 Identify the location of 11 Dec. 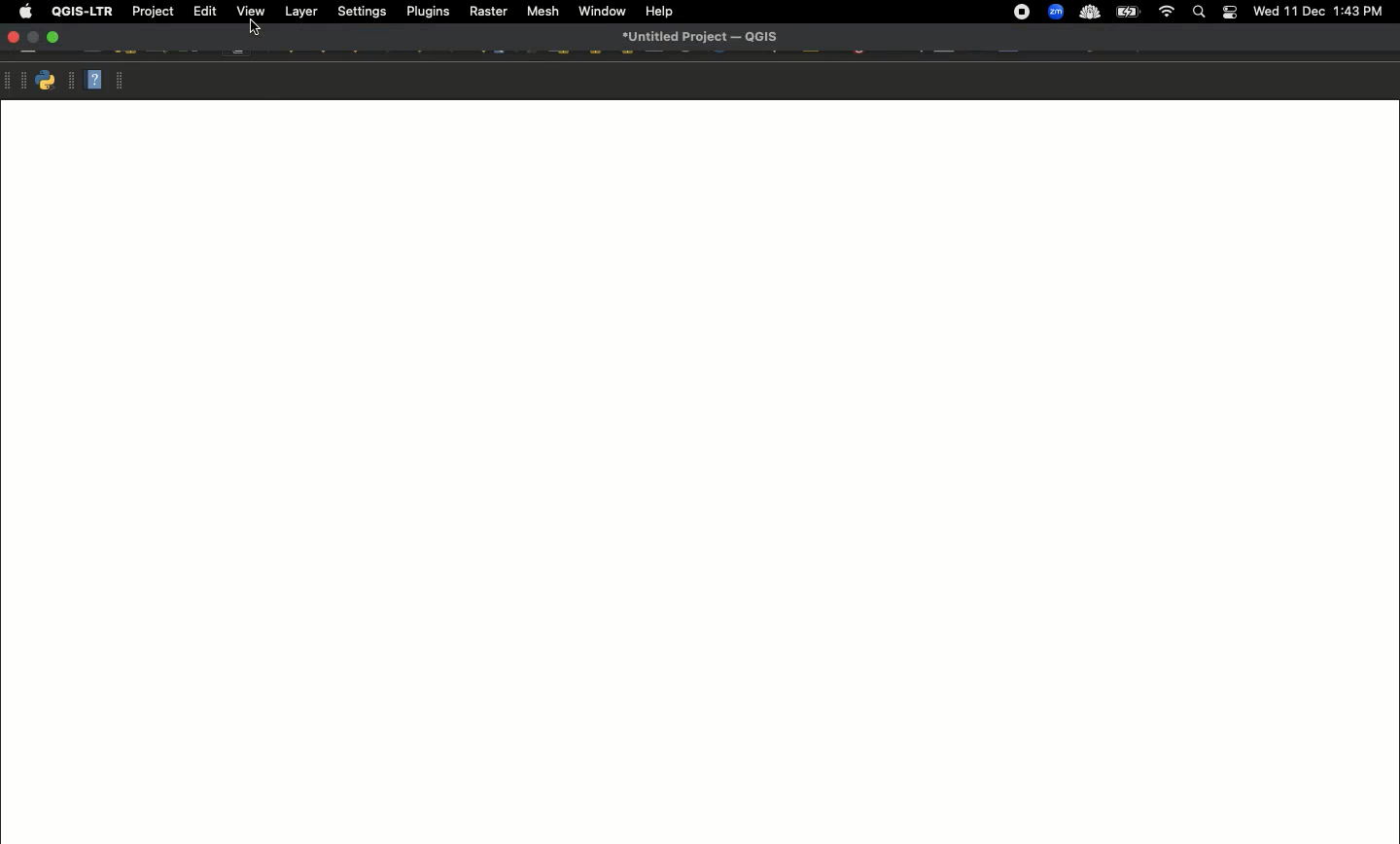
(1306, 14).